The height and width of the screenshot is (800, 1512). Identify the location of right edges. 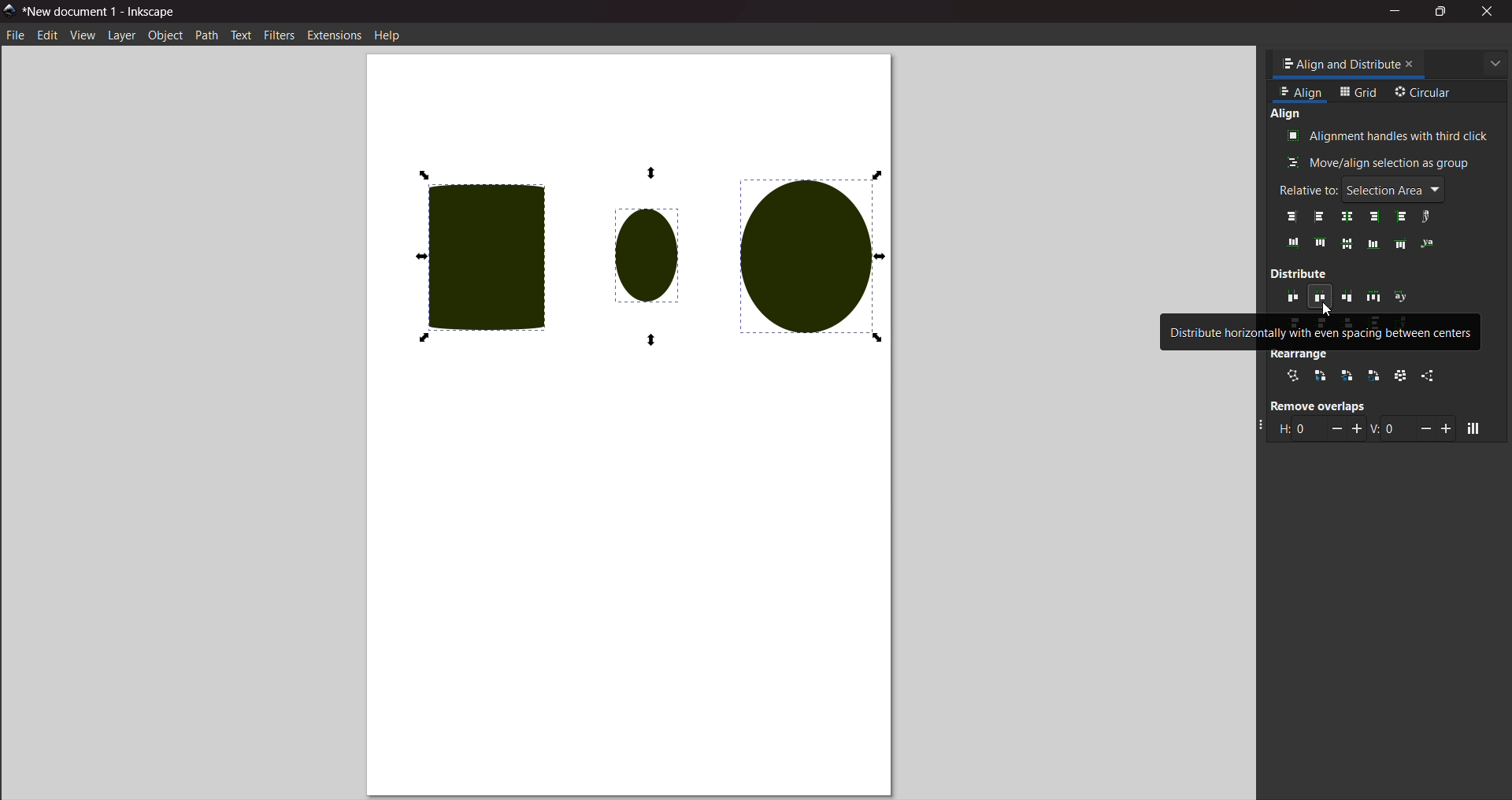
(1374, 217).